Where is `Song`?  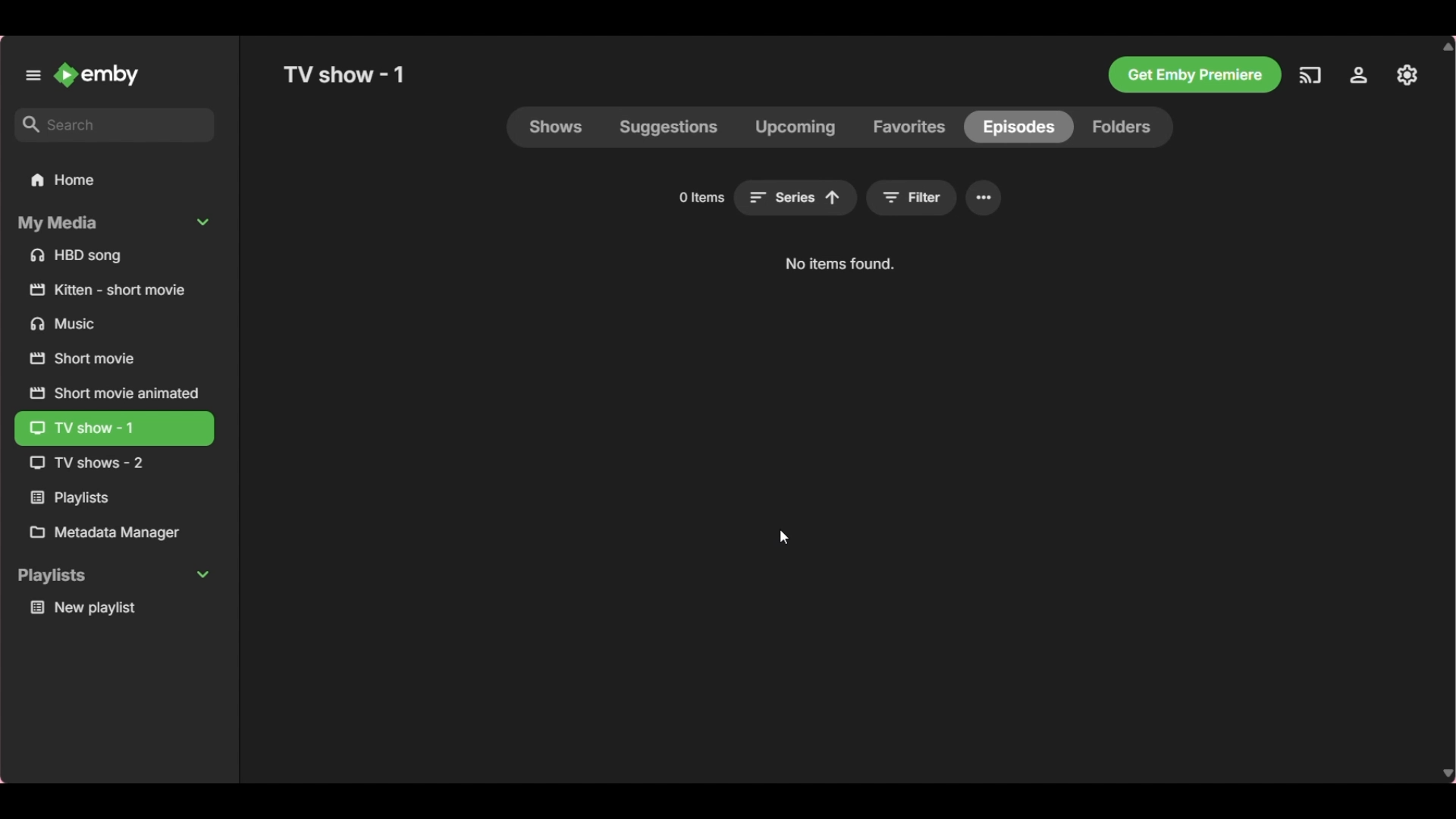
Song is located at coordinates (115, 256).